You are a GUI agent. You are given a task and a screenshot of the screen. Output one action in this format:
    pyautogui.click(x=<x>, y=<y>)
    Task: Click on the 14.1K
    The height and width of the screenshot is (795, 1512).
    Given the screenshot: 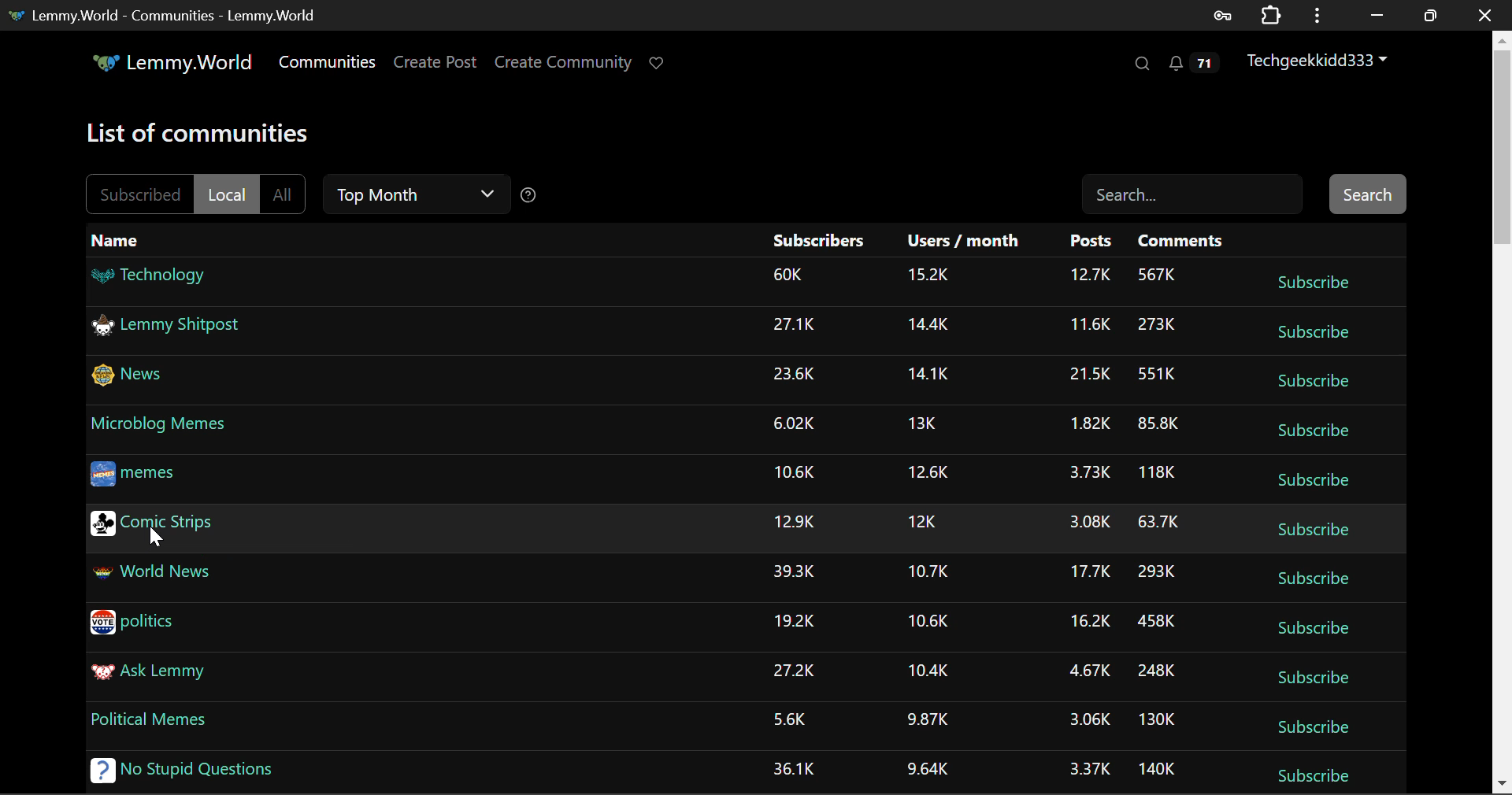 What is the action you would take?
    pyautogui.click(x=930, y=373)
    